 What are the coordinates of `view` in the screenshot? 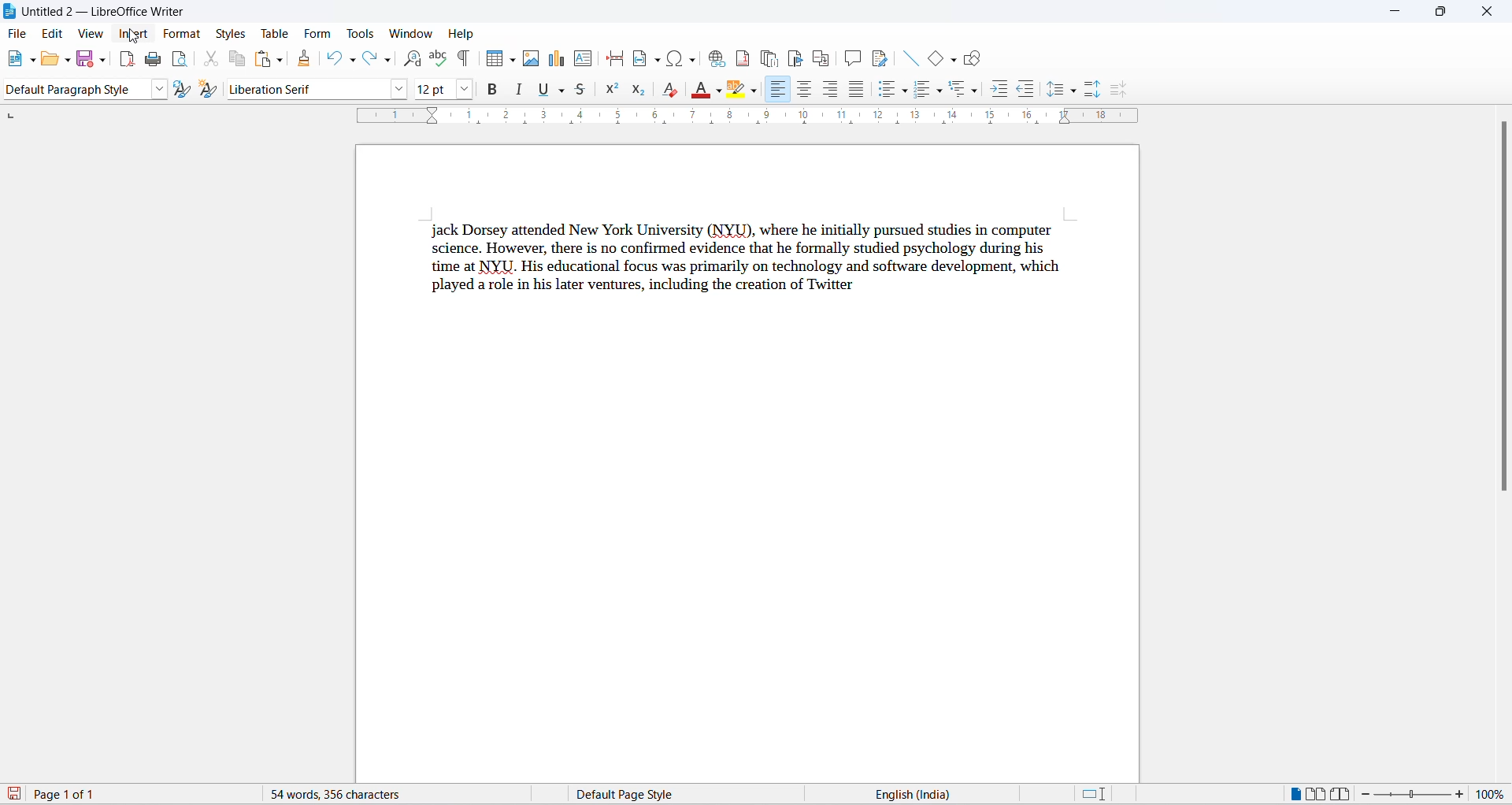 It's located at (92, 34).